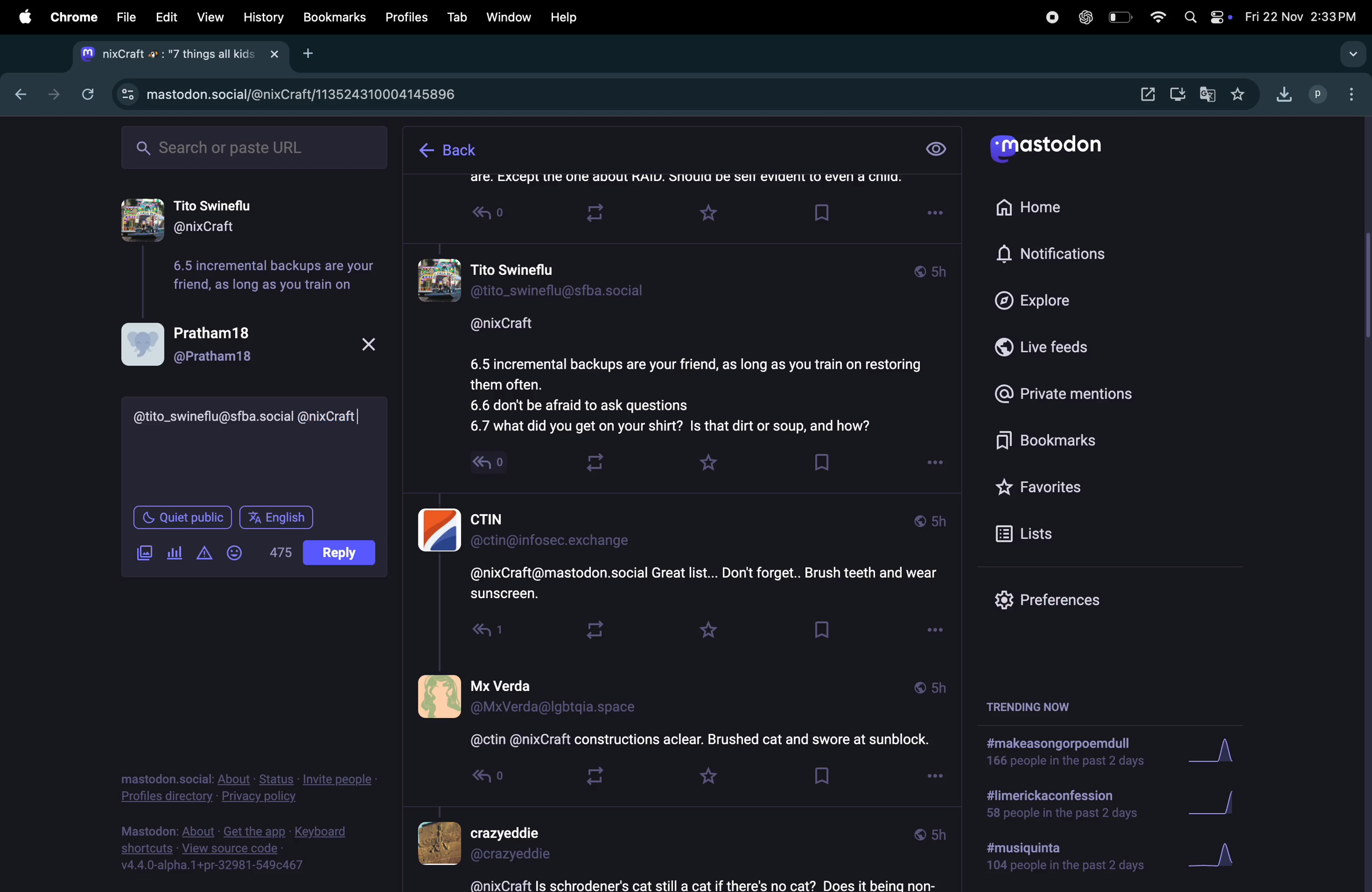 The height and width of the screenshot is (892, 1372). I want to click on thread, so click(683, 554).